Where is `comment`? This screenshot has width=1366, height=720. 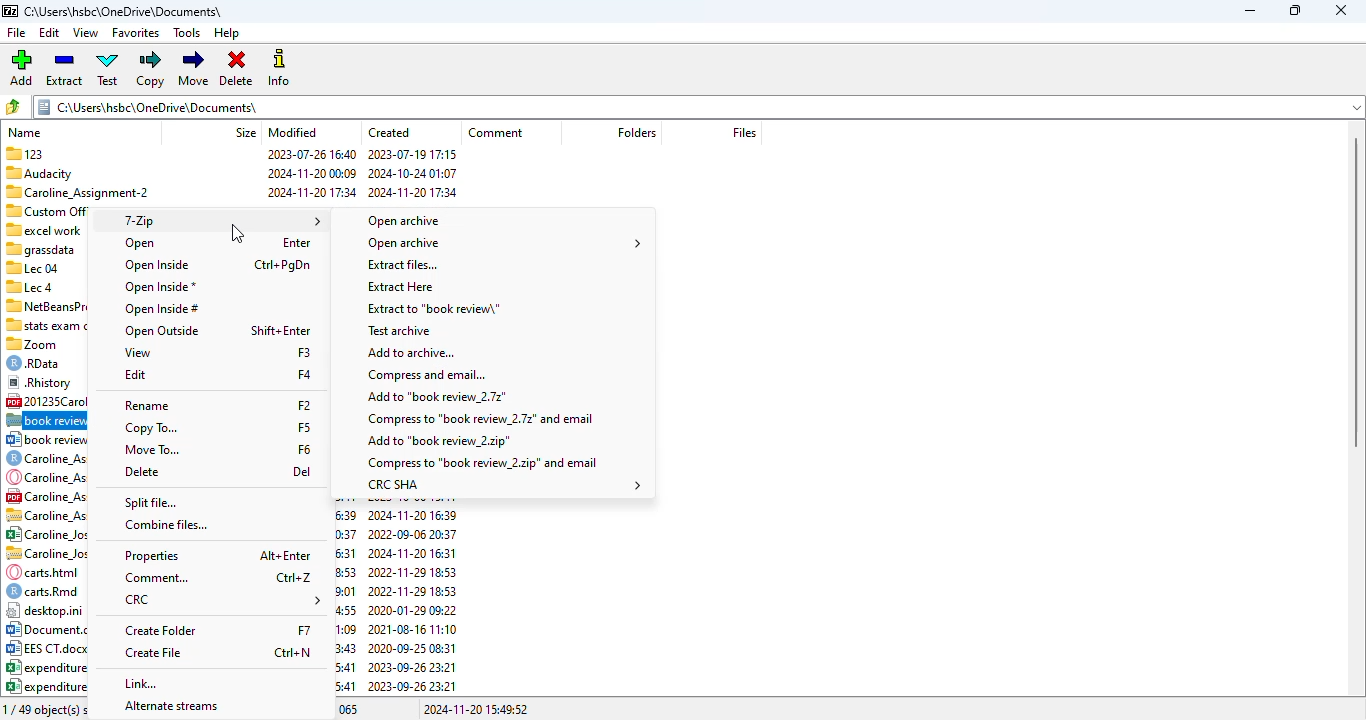
comment is located at coordinates (497, 133).